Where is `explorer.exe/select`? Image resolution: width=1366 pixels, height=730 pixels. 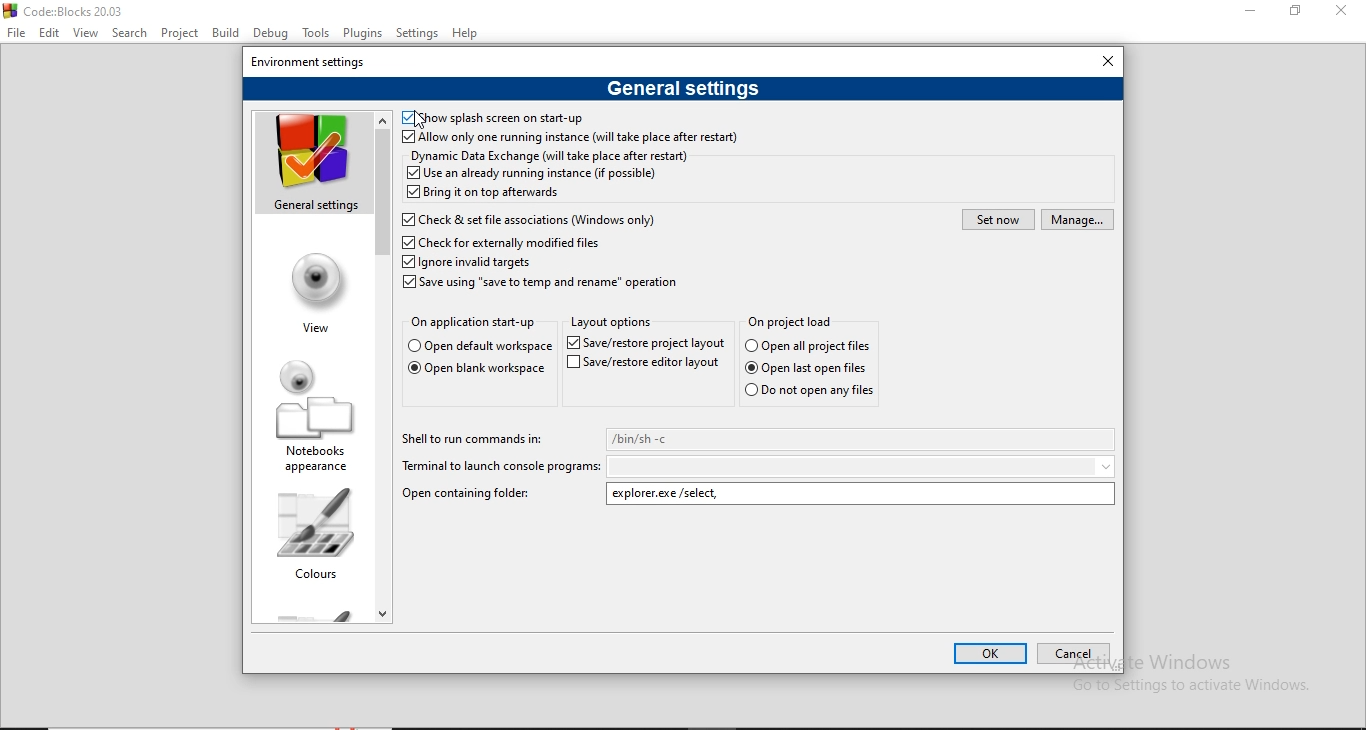
explorer.exe/select is located at coordinates (863, 493).